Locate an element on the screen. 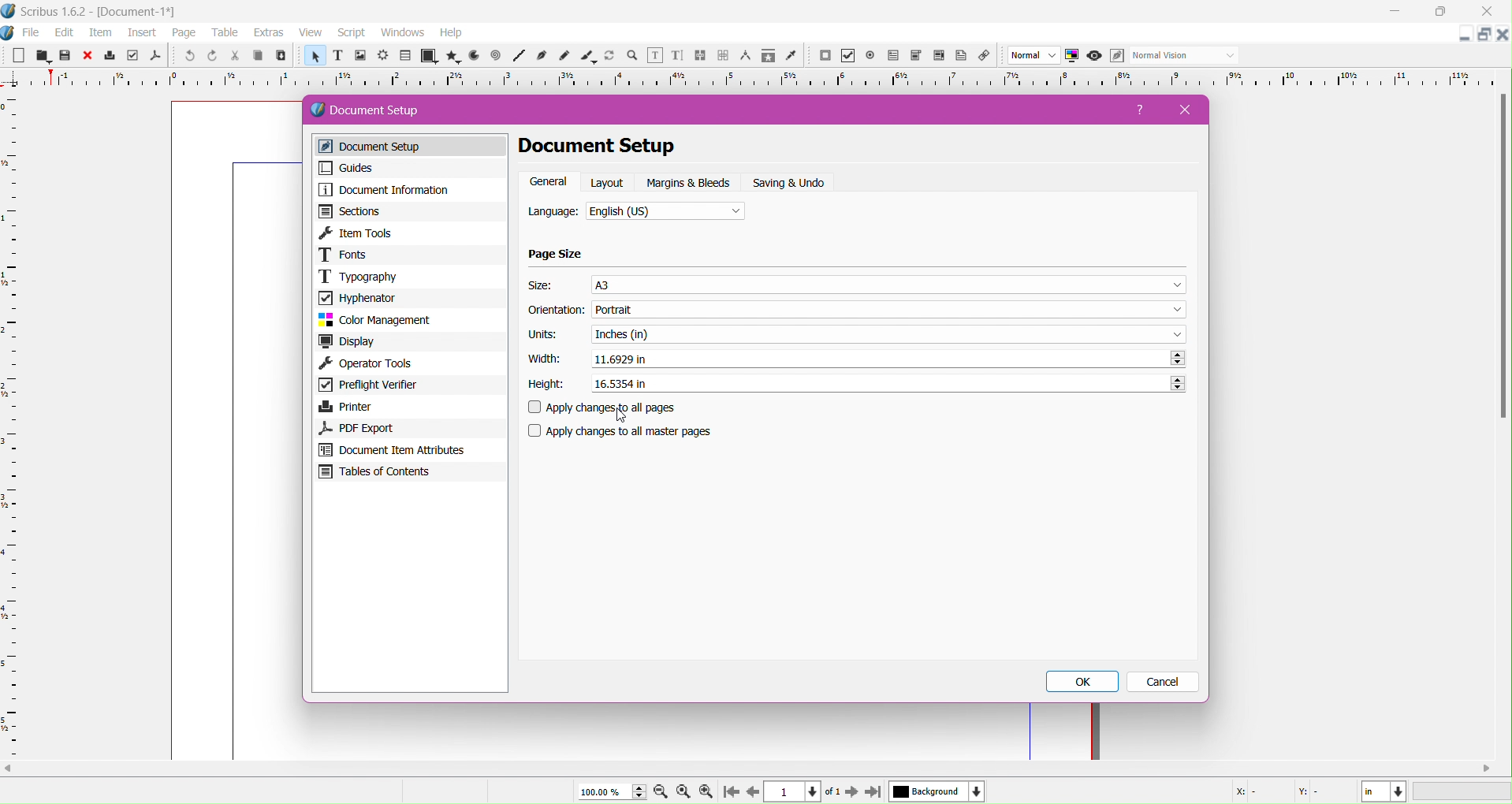  text annotations is located at coordinates (964, 56).